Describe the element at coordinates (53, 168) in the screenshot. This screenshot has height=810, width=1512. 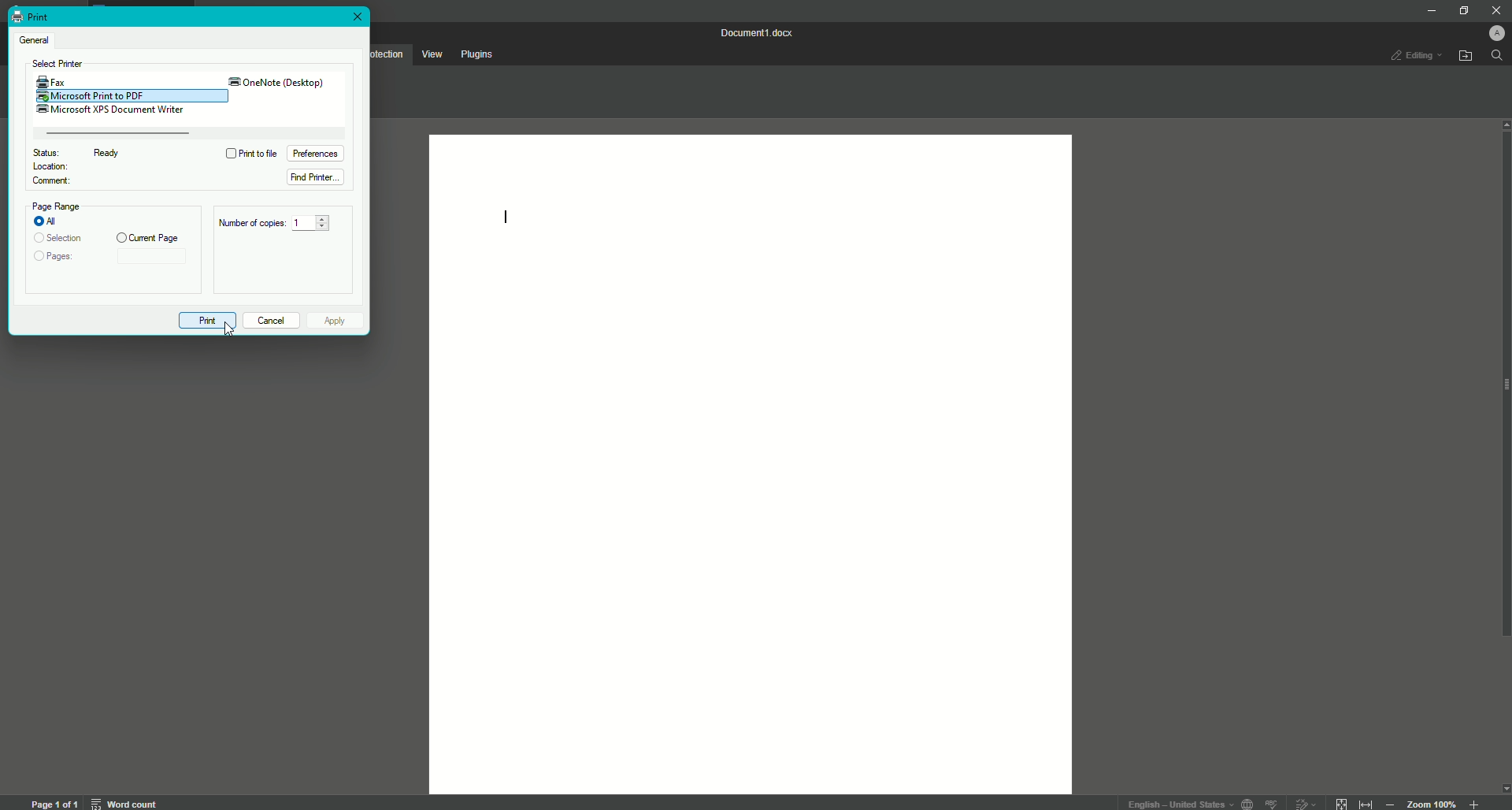
I see `Location` at that location.